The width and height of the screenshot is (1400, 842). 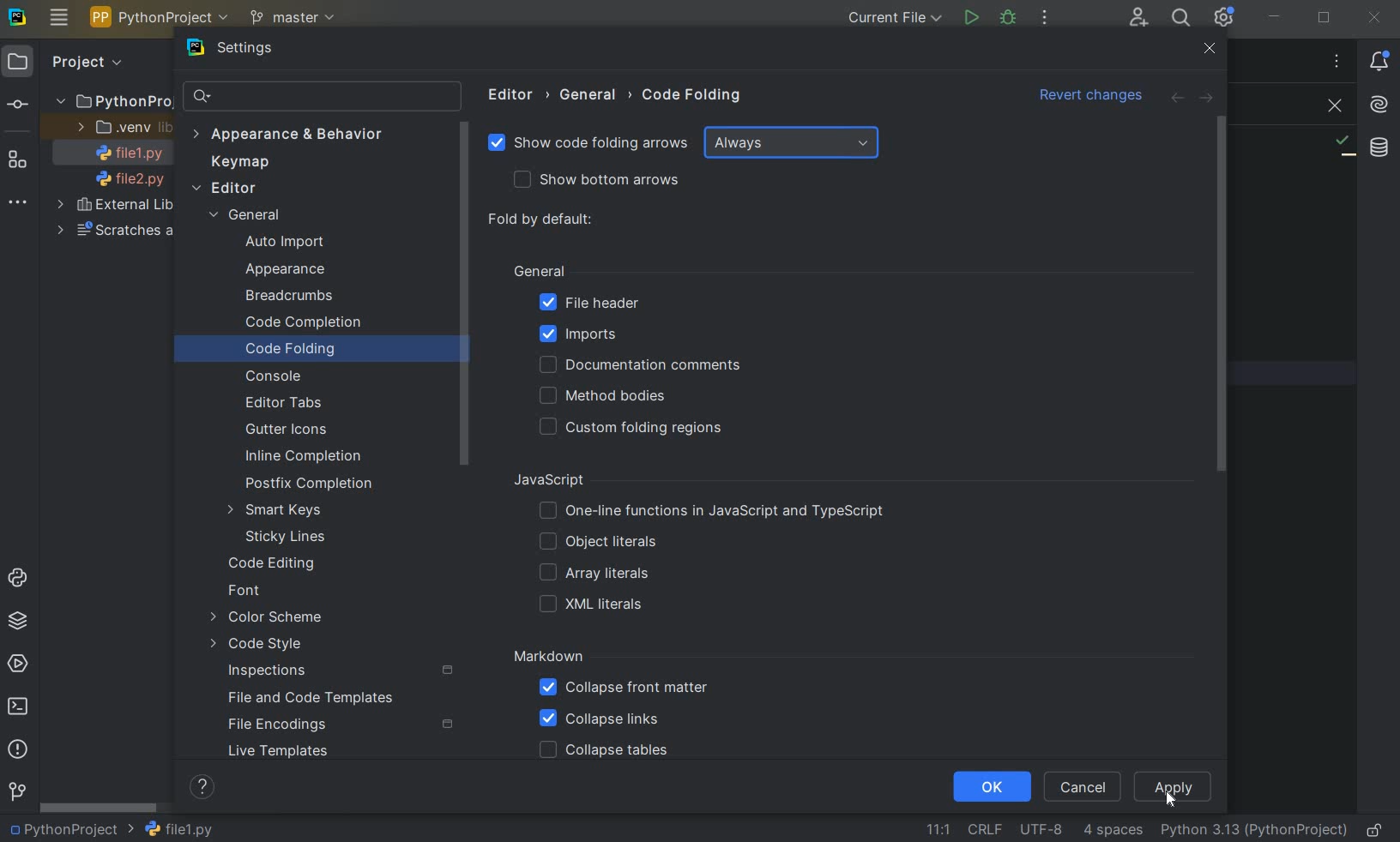 I want to click on MINIMIZE, so click(x=1275, y=18).